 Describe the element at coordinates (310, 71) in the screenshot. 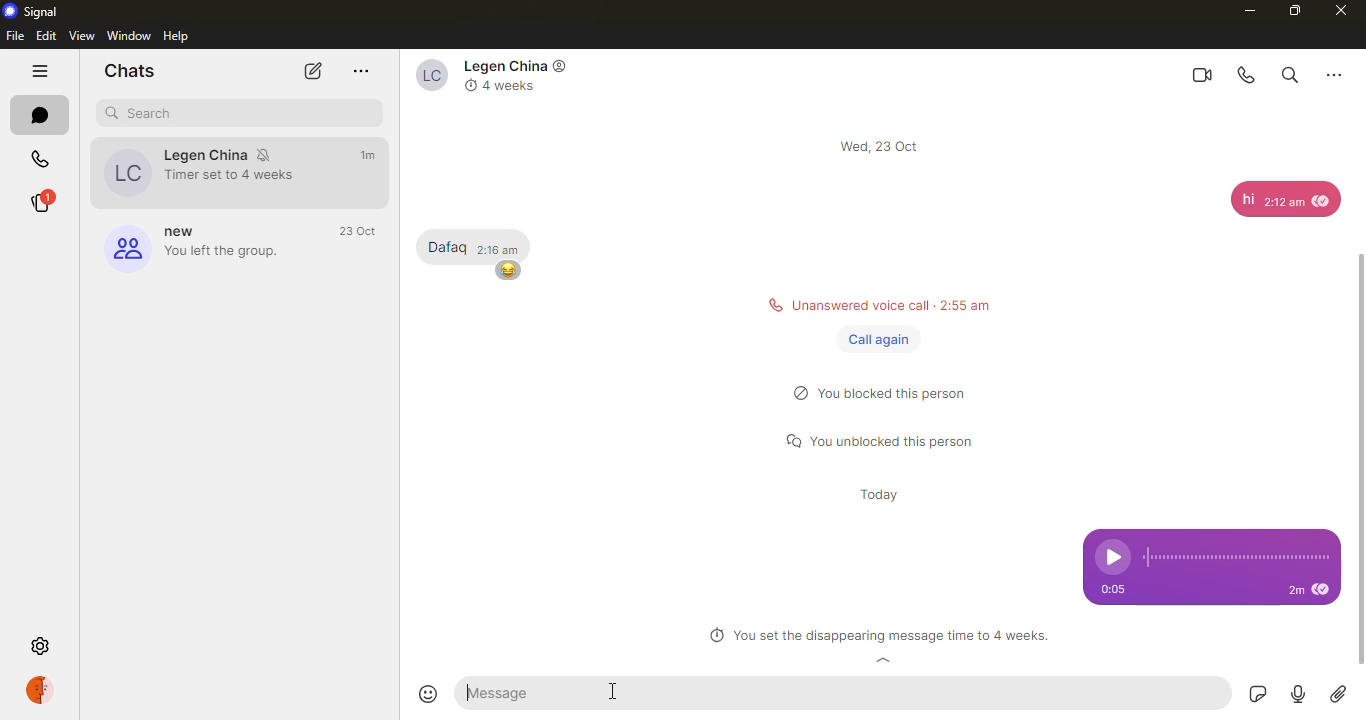

I see `new chat` at that location.